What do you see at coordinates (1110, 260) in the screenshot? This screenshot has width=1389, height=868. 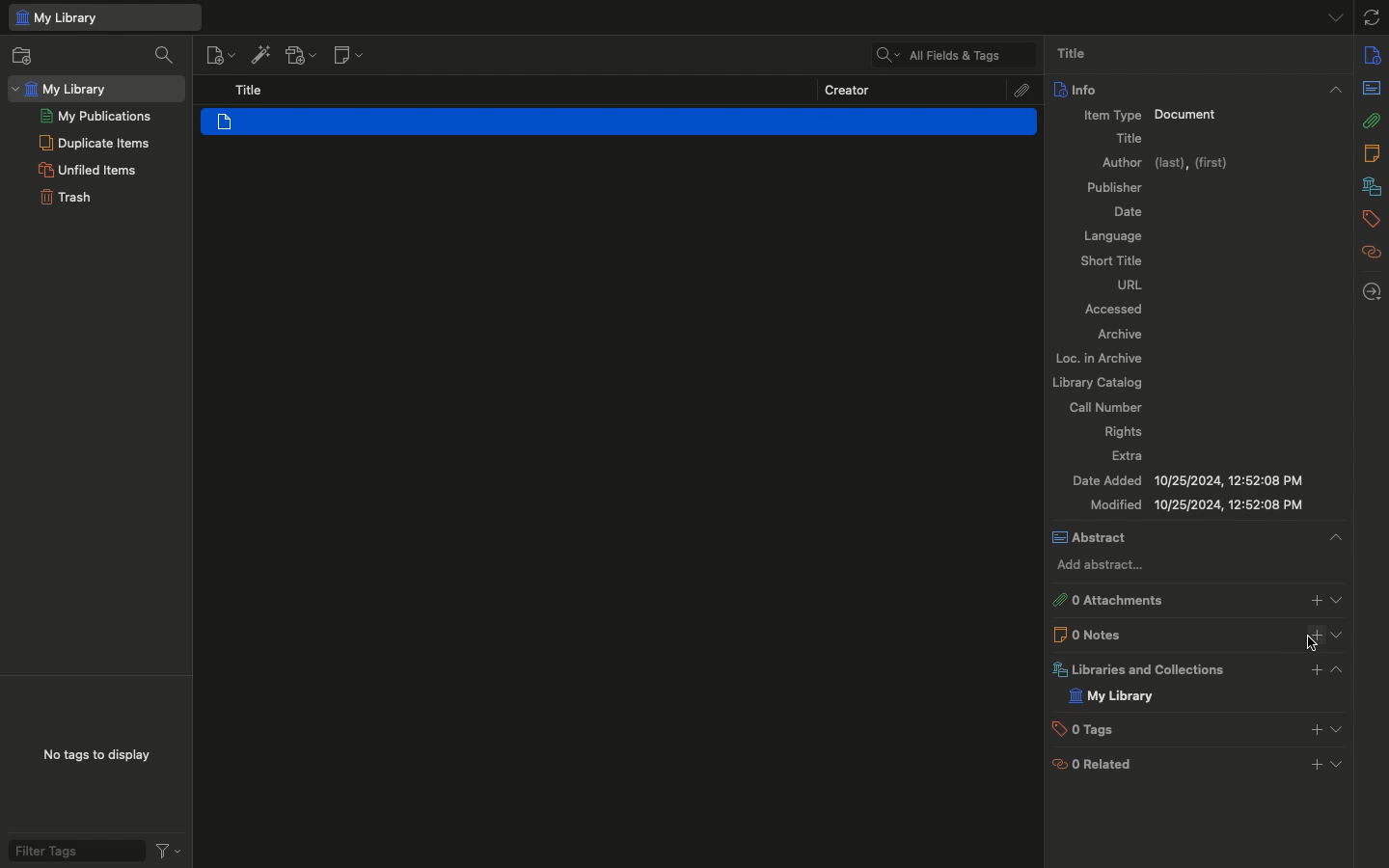 I see `Short title` at bounding box center [1110, 260].